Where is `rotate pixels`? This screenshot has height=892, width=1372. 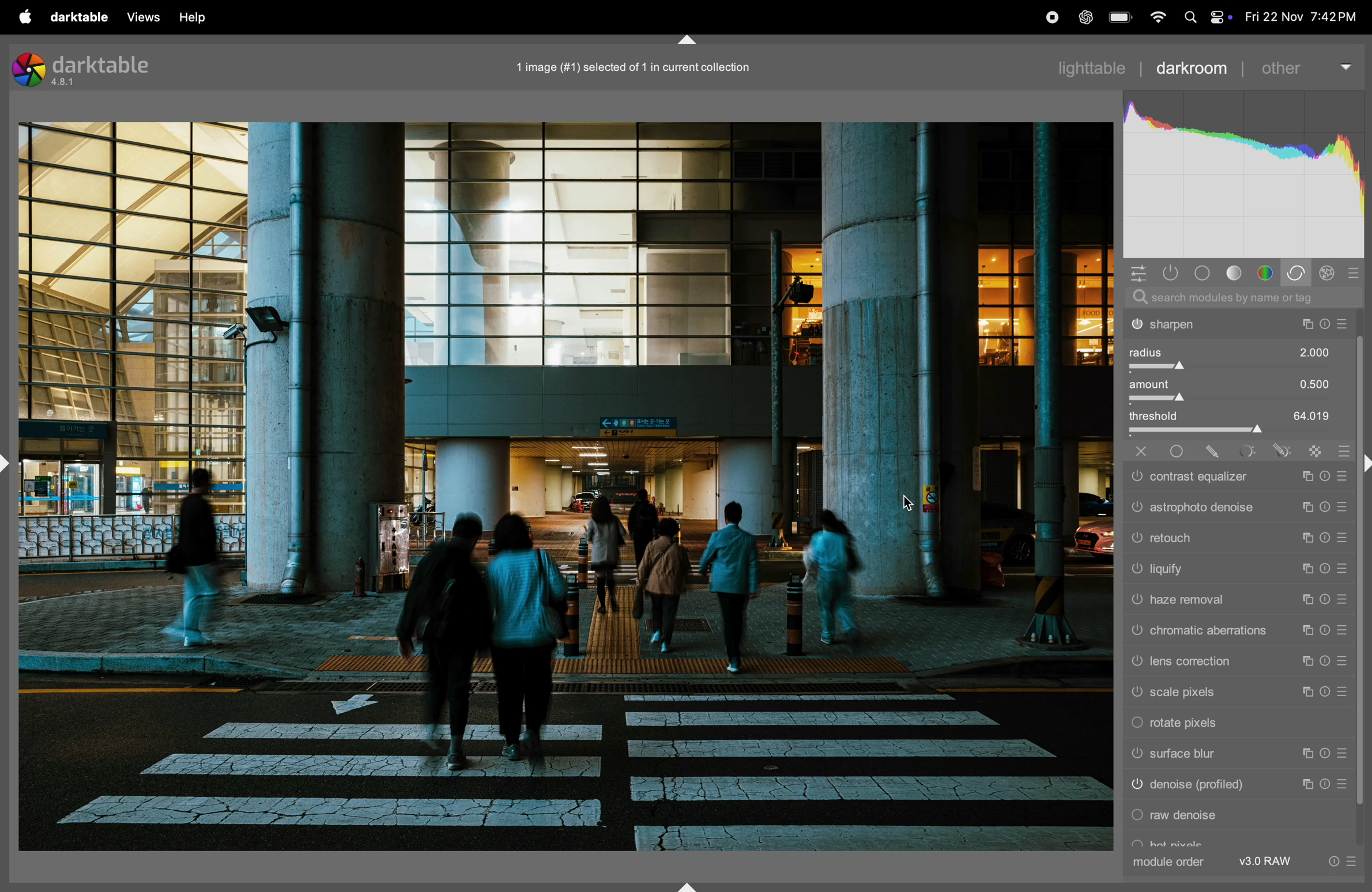
rotate pixels is located at coordinates (1234, 725).